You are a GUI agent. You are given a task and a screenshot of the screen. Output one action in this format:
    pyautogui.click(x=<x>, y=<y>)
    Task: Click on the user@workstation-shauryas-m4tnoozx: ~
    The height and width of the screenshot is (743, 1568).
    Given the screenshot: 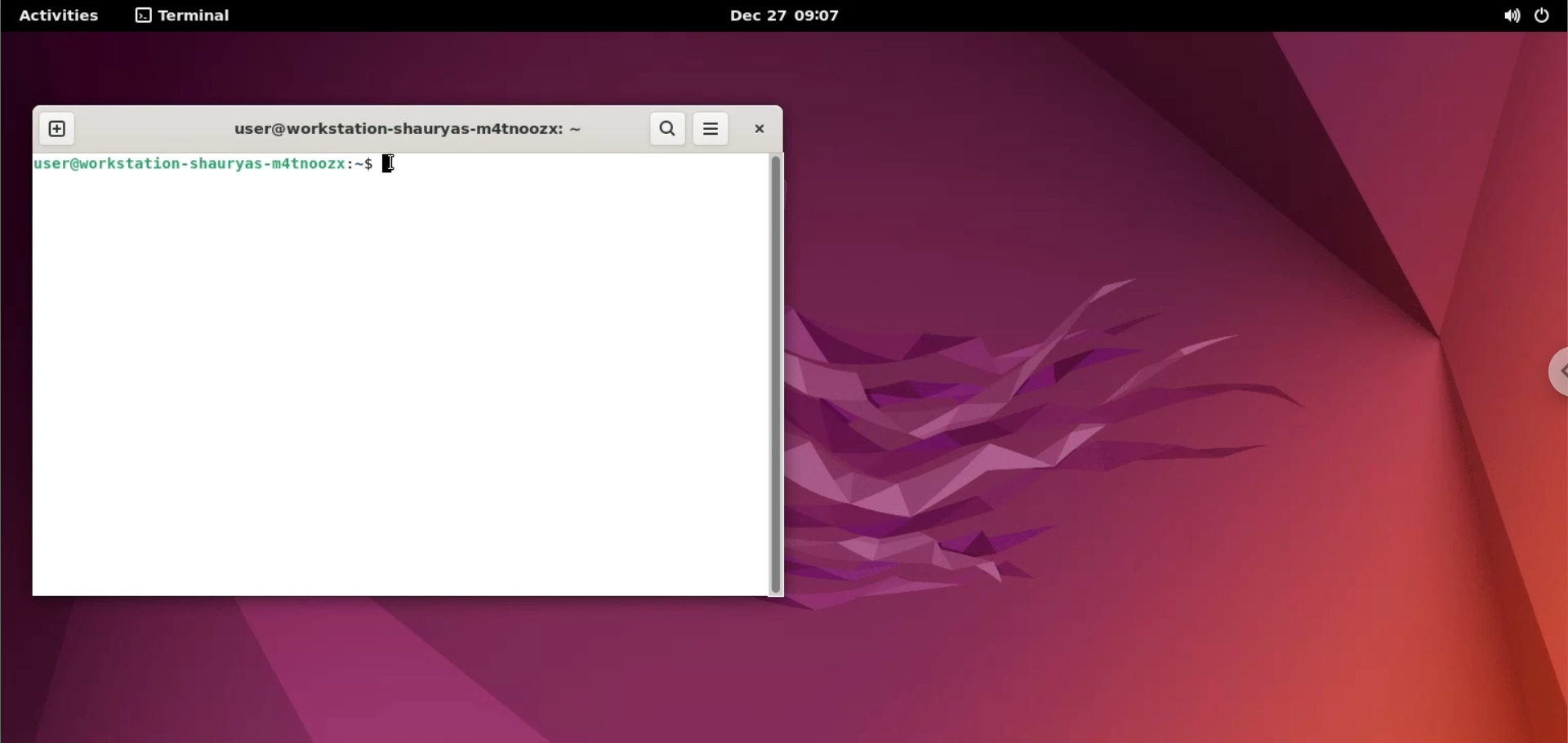 What is the action you would take?
    pyautogui.click(x=399, y=130)
    